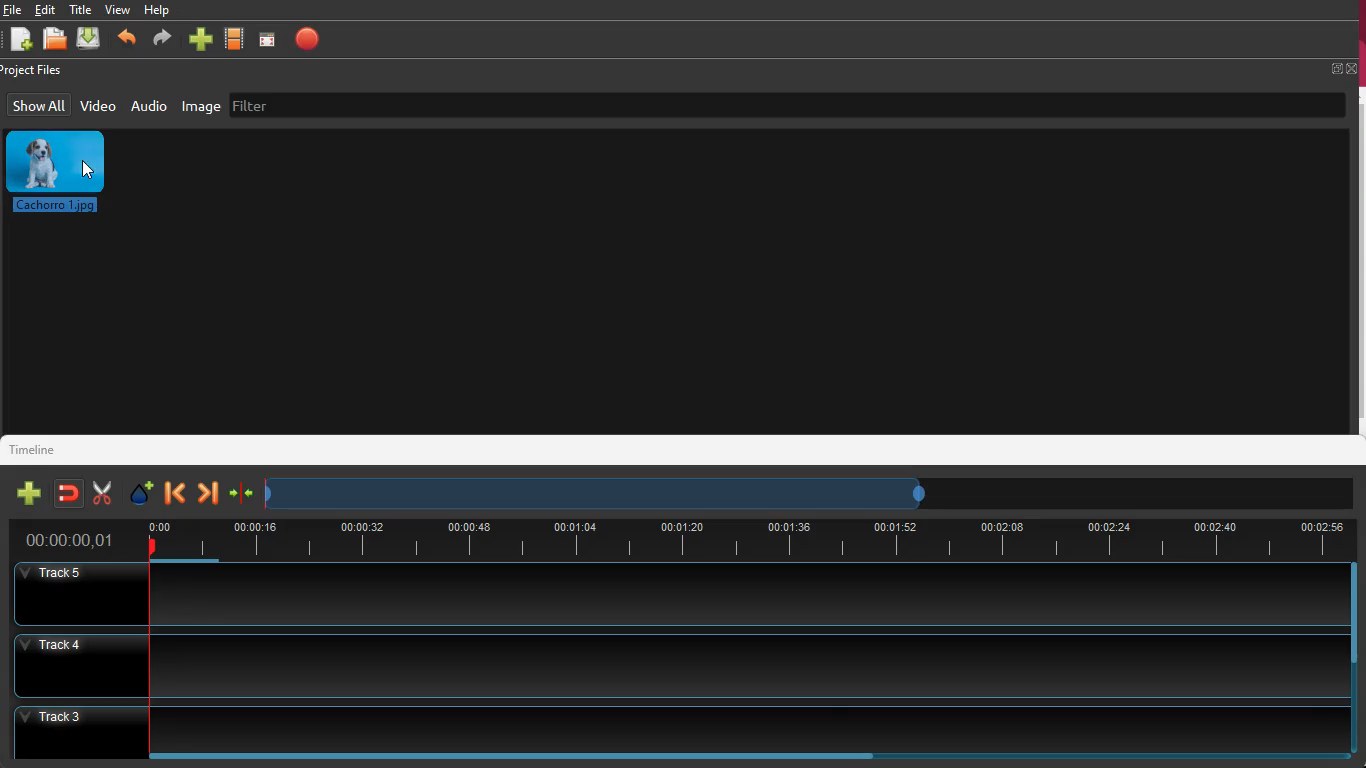  I want to click on cursor, so click(88, 170).